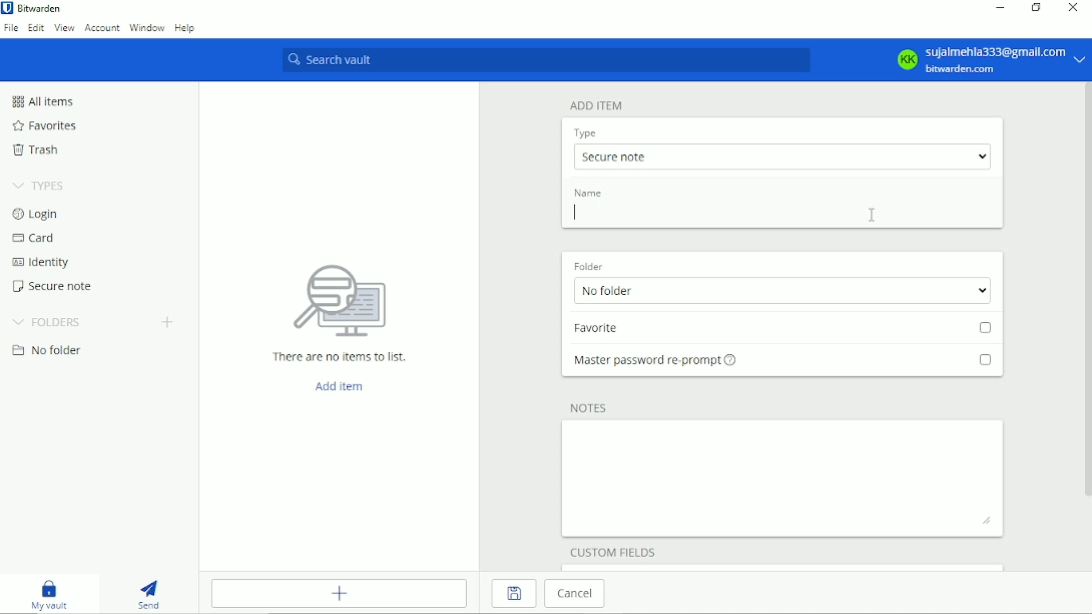  What do you see at coordinates (998, 9) in the screenshot?
I see `Minimize` at bounding box center [998, 9].